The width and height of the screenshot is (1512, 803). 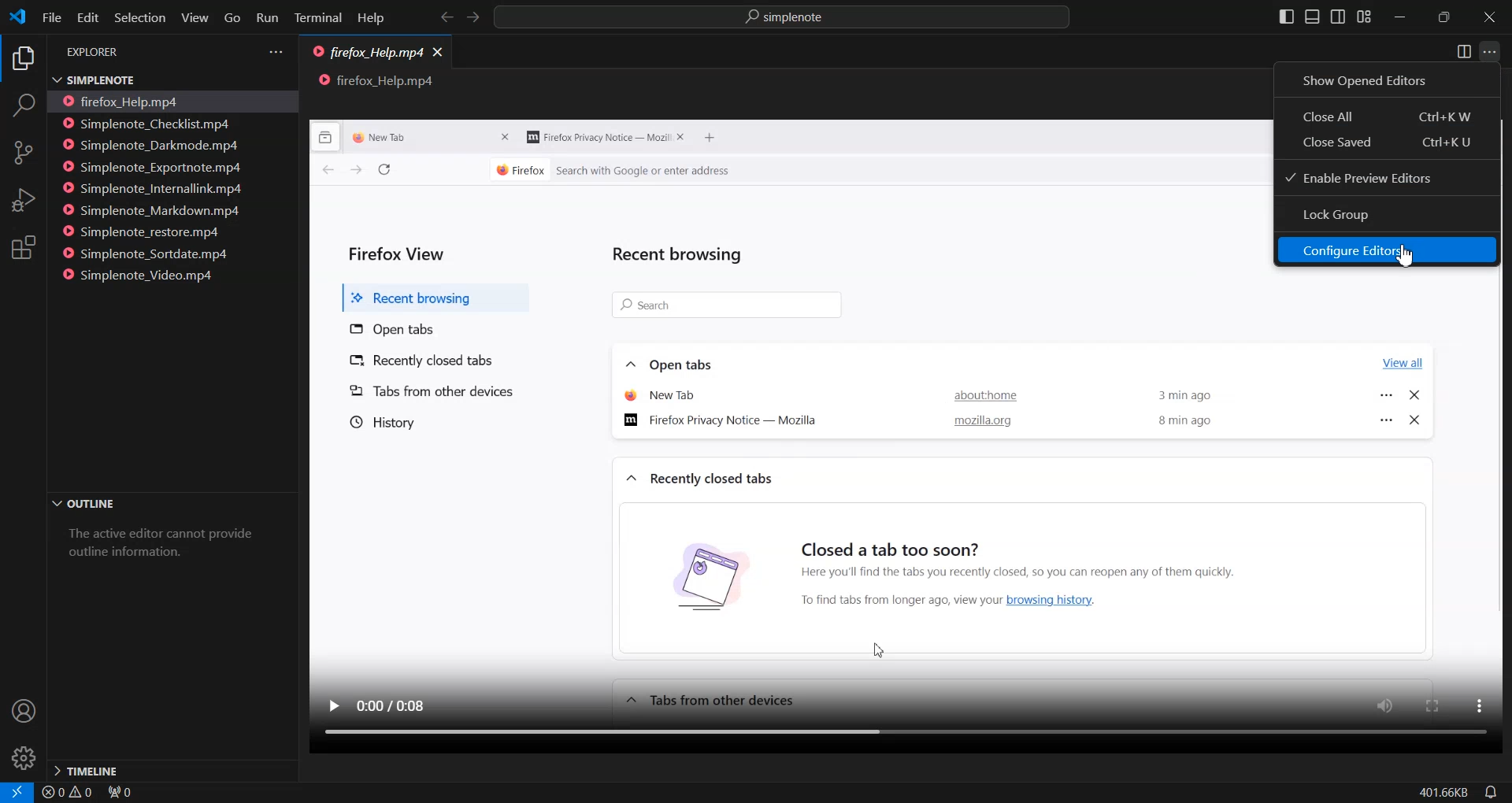 What do you see at coordinates (318, 19) in the screenshot?
I see `Terminal` at bounding box center [318, 19].